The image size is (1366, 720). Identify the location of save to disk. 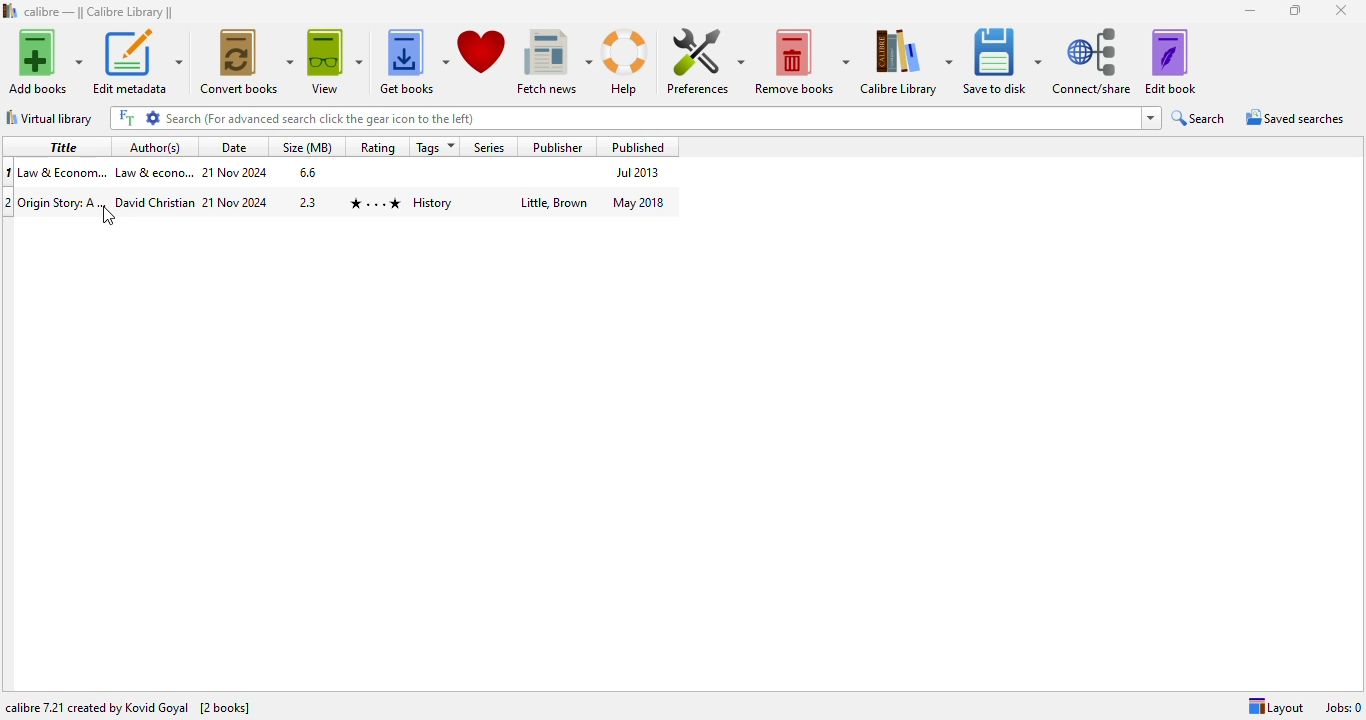
(1001, 62).